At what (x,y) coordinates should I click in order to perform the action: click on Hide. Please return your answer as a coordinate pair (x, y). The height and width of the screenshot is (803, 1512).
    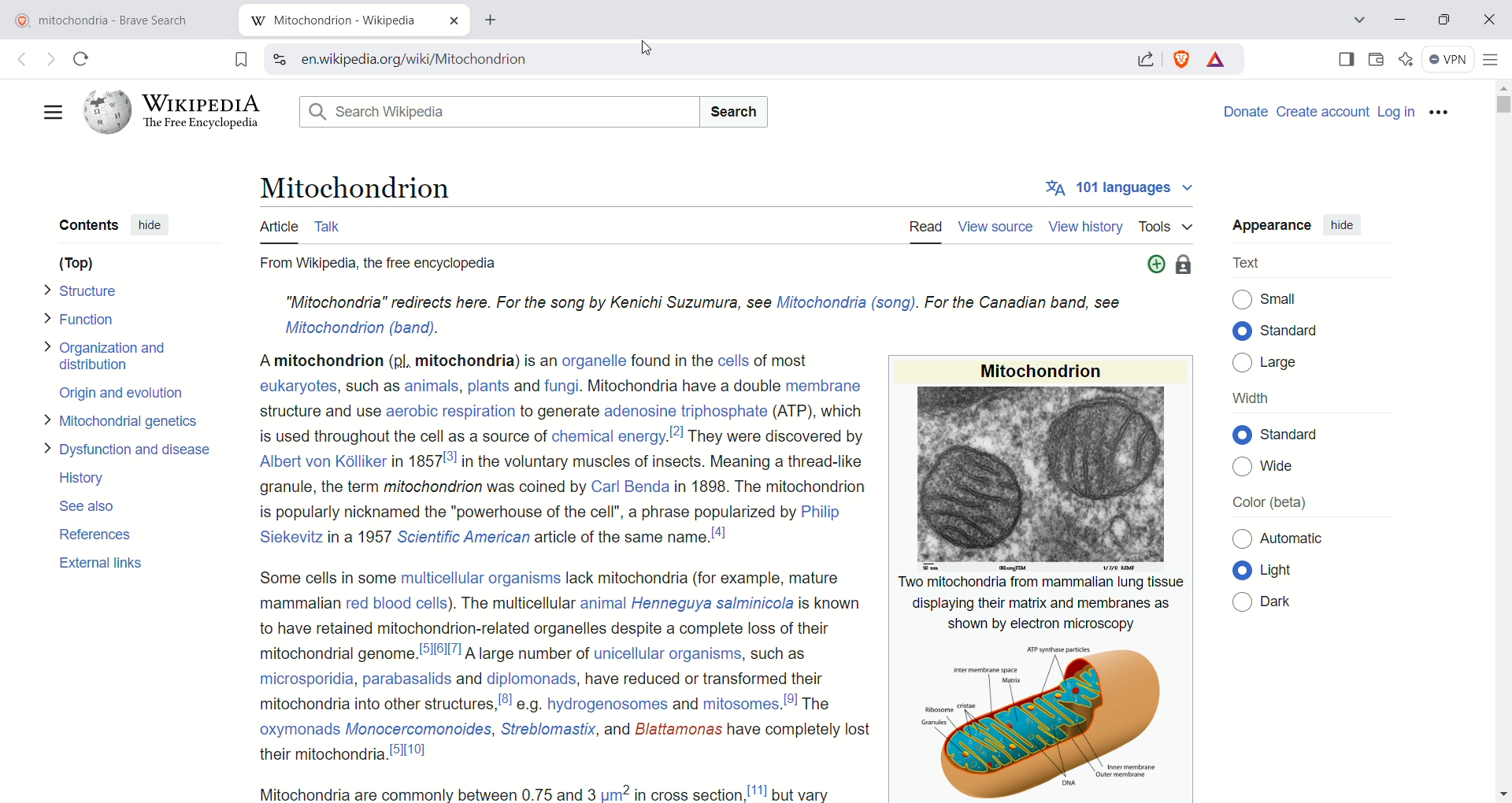
    Looking at the image, I should click on (150, 223).